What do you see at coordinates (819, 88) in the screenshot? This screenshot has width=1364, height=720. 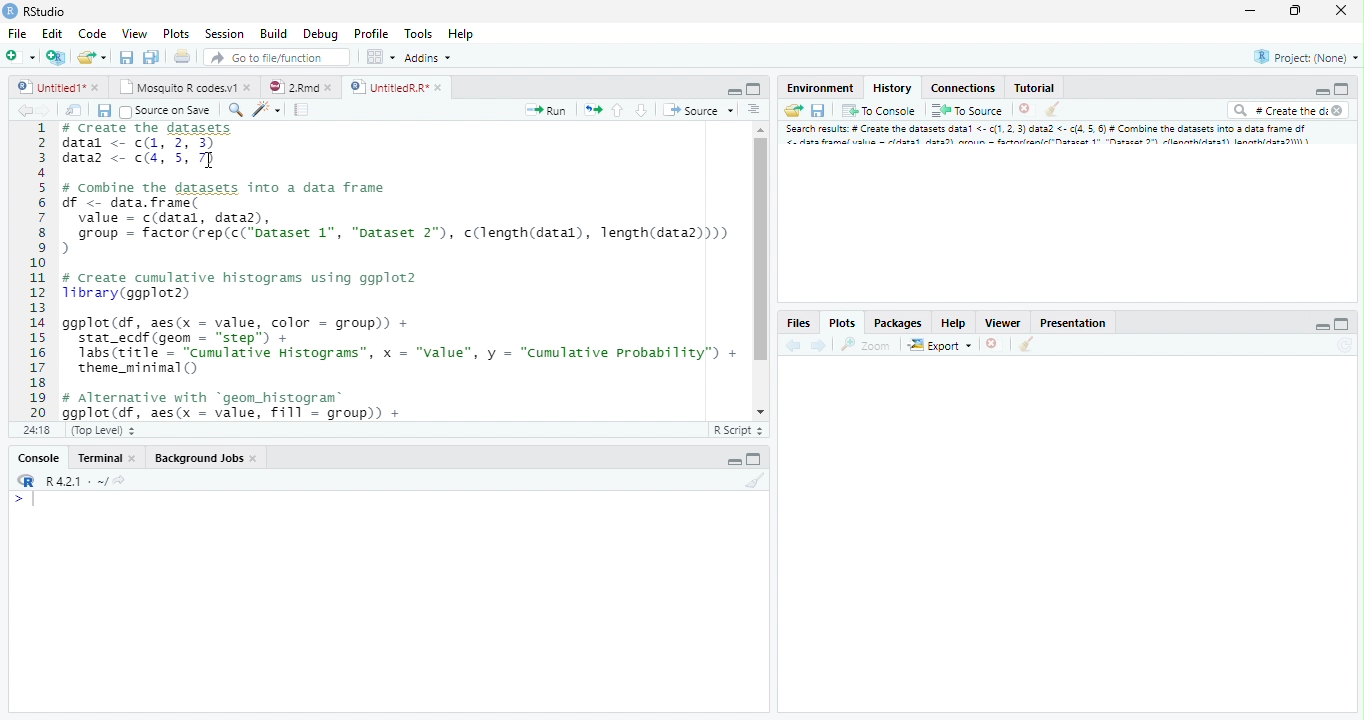 I see `Environment` at bounding box center [819, 88].